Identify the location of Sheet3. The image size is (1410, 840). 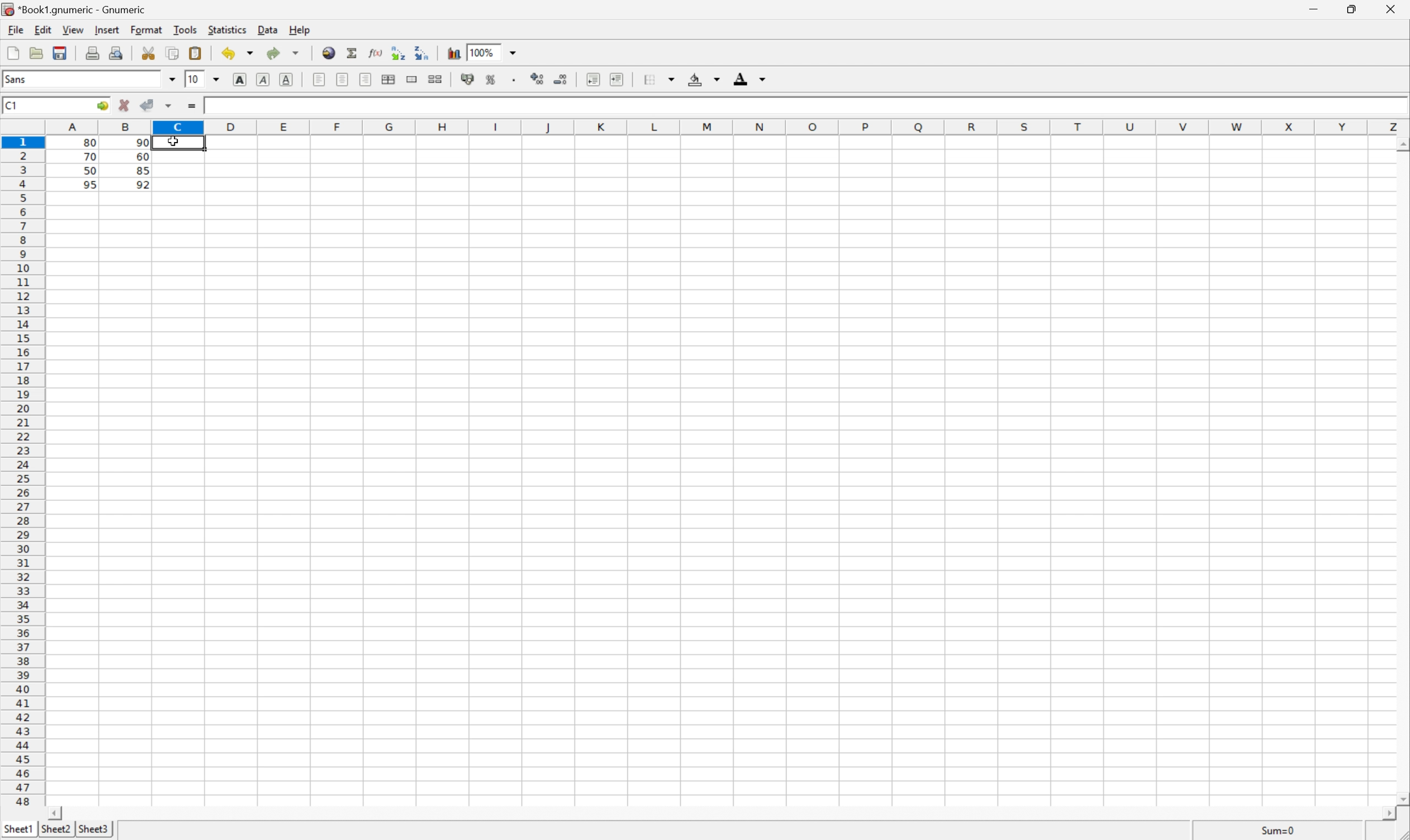
(93, 829).